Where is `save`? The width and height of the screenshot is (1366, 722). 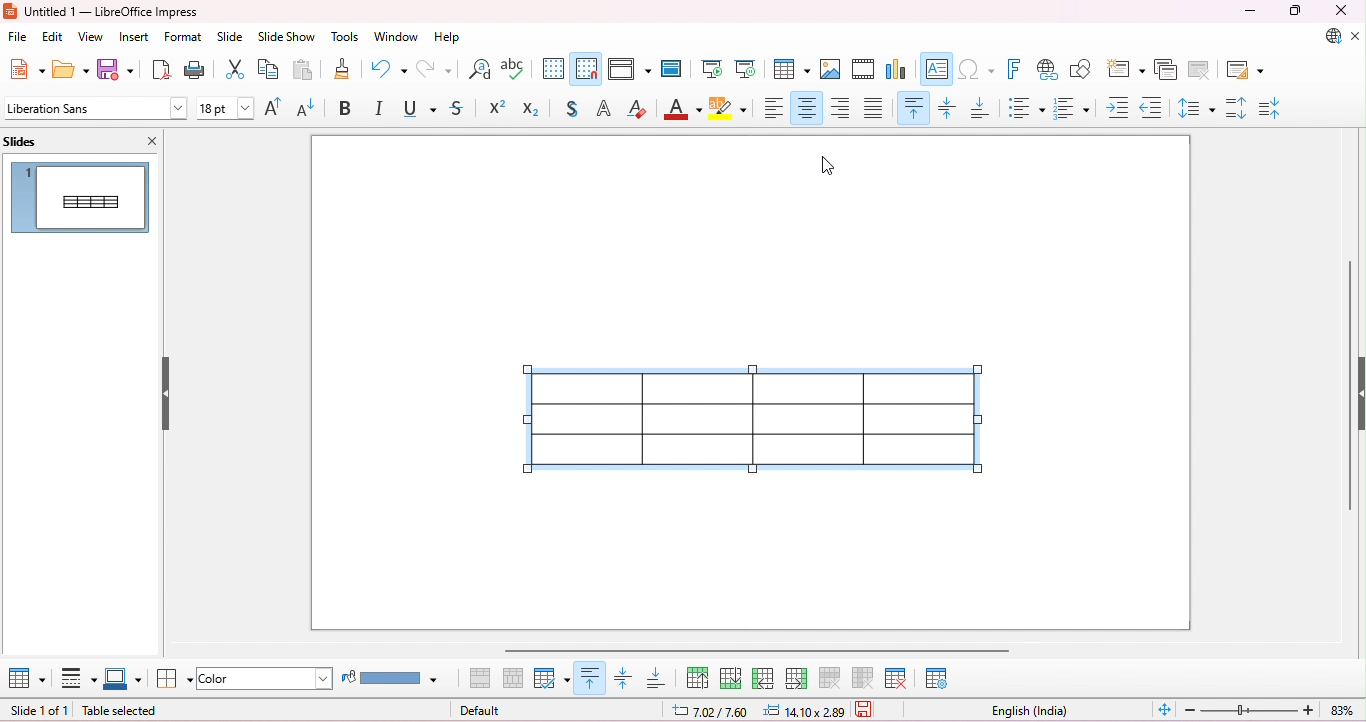
save is located at coordinates (116, 69).